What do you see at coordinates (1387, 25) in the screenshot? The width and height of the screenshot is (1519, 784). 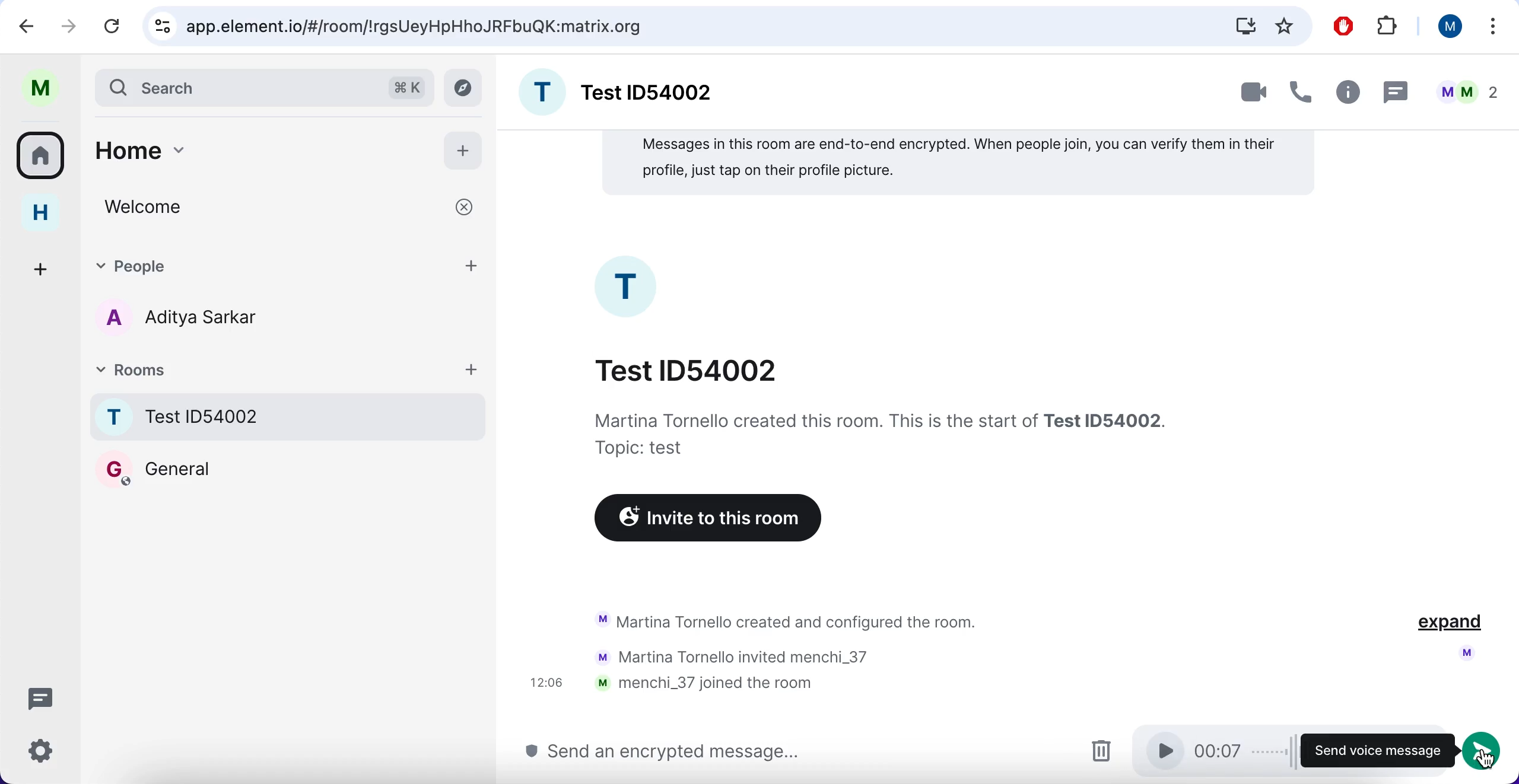 I see `extensions` at bounding box center [1387, 25].